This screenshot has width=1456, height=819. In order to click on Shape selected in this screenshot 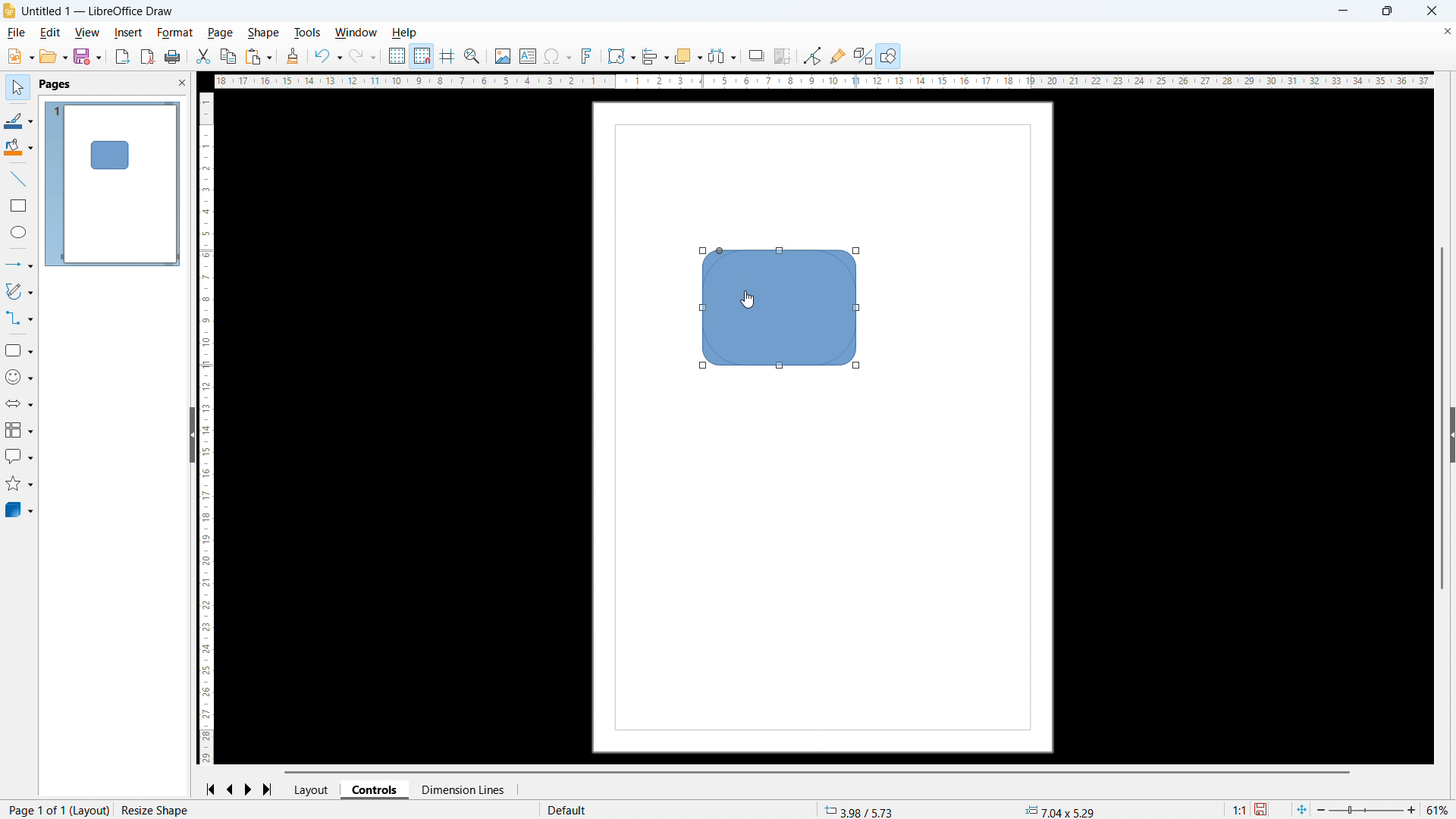, I will do `click(162, 810)`.